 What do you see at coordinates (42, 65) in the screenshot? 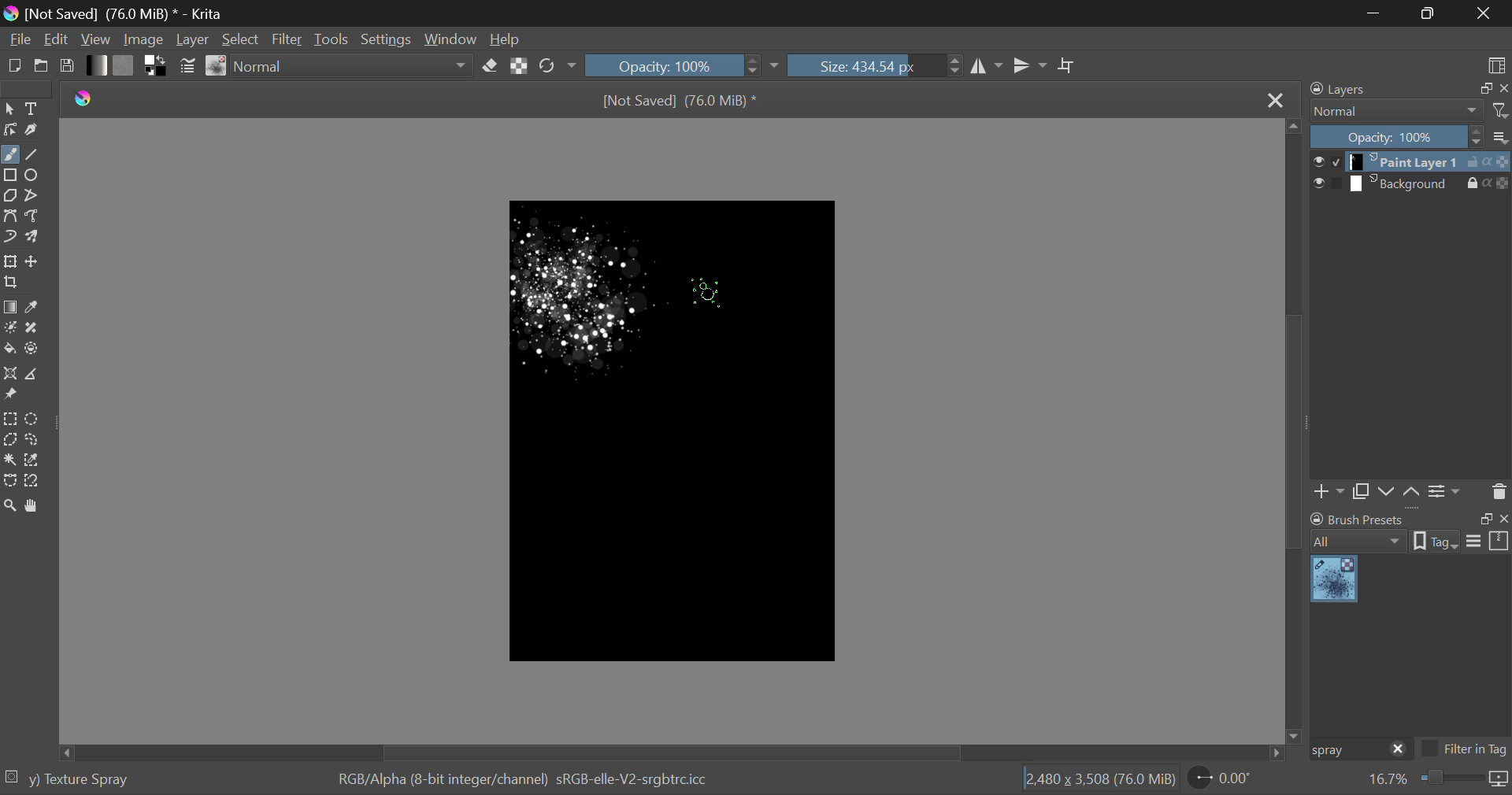
I see `Open` at bounding box center [42, 65].